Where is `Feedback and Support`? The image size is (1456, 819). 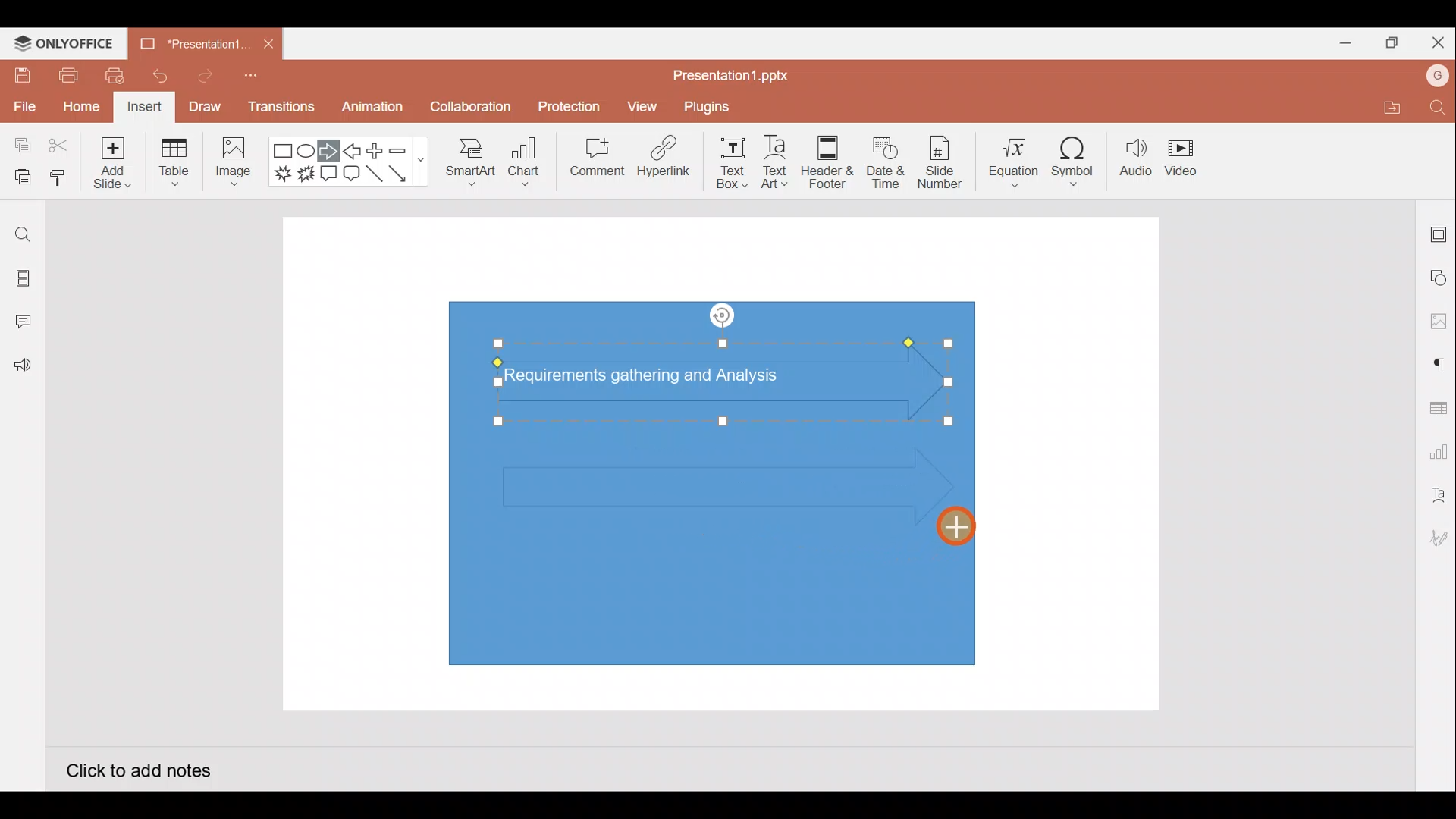
Feedback and Support is located at coordinates (22, 369).